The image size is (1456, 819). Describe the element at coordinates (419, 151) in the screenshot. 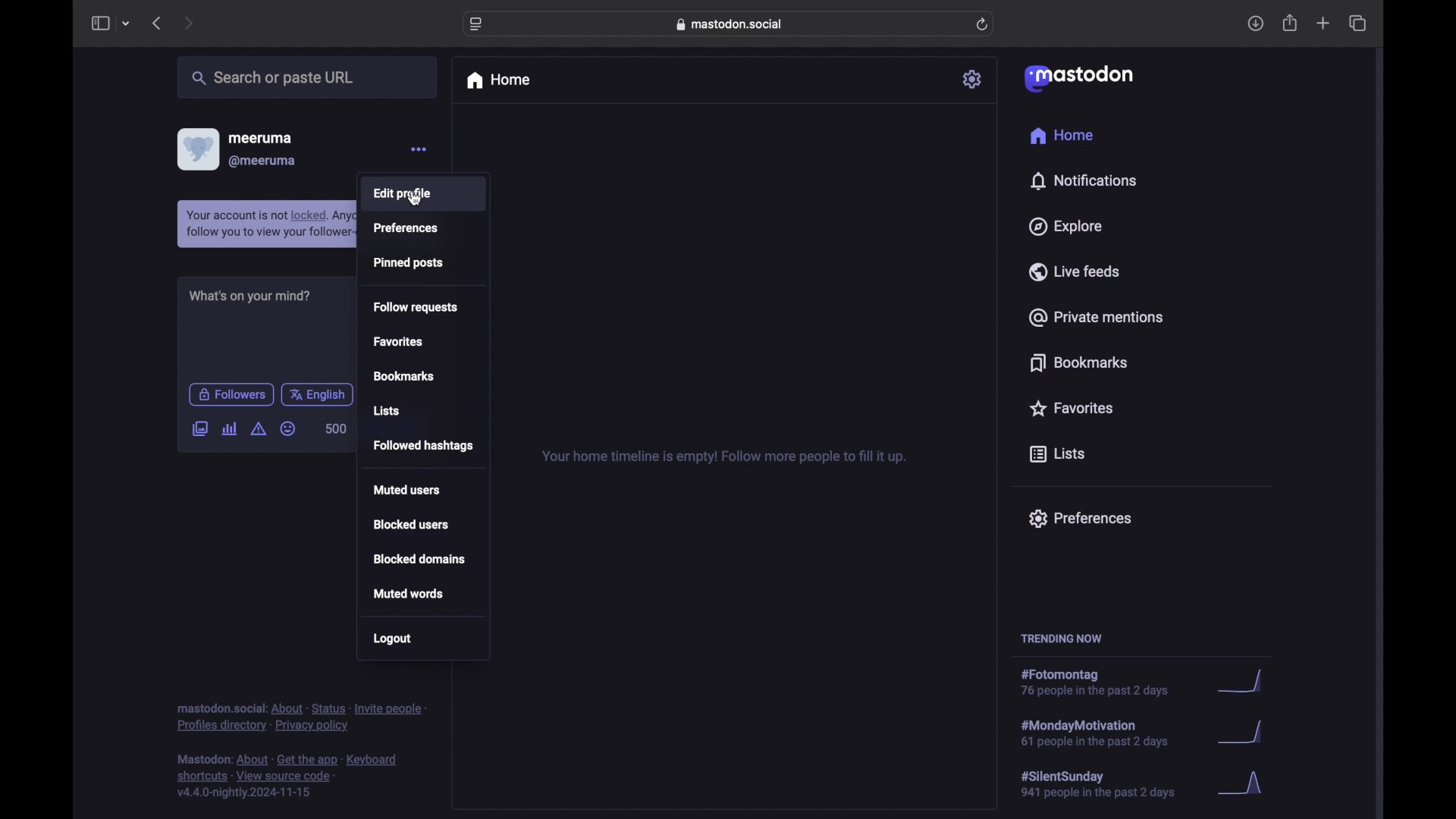

I see `moreoptions highlighted` at that location.